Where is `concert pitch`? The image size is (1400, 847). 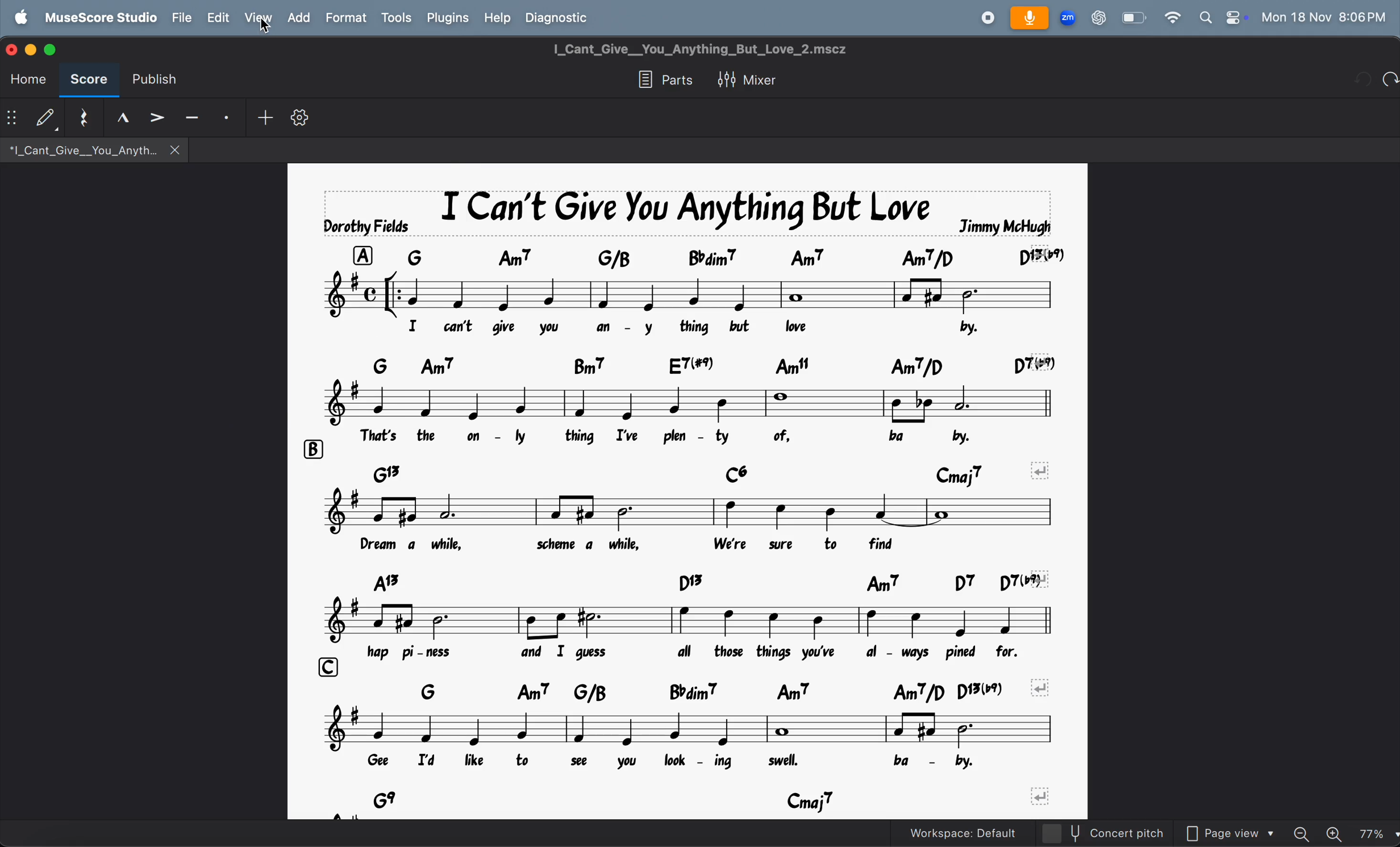 concert pitch is located at coordinates (1117, 835).